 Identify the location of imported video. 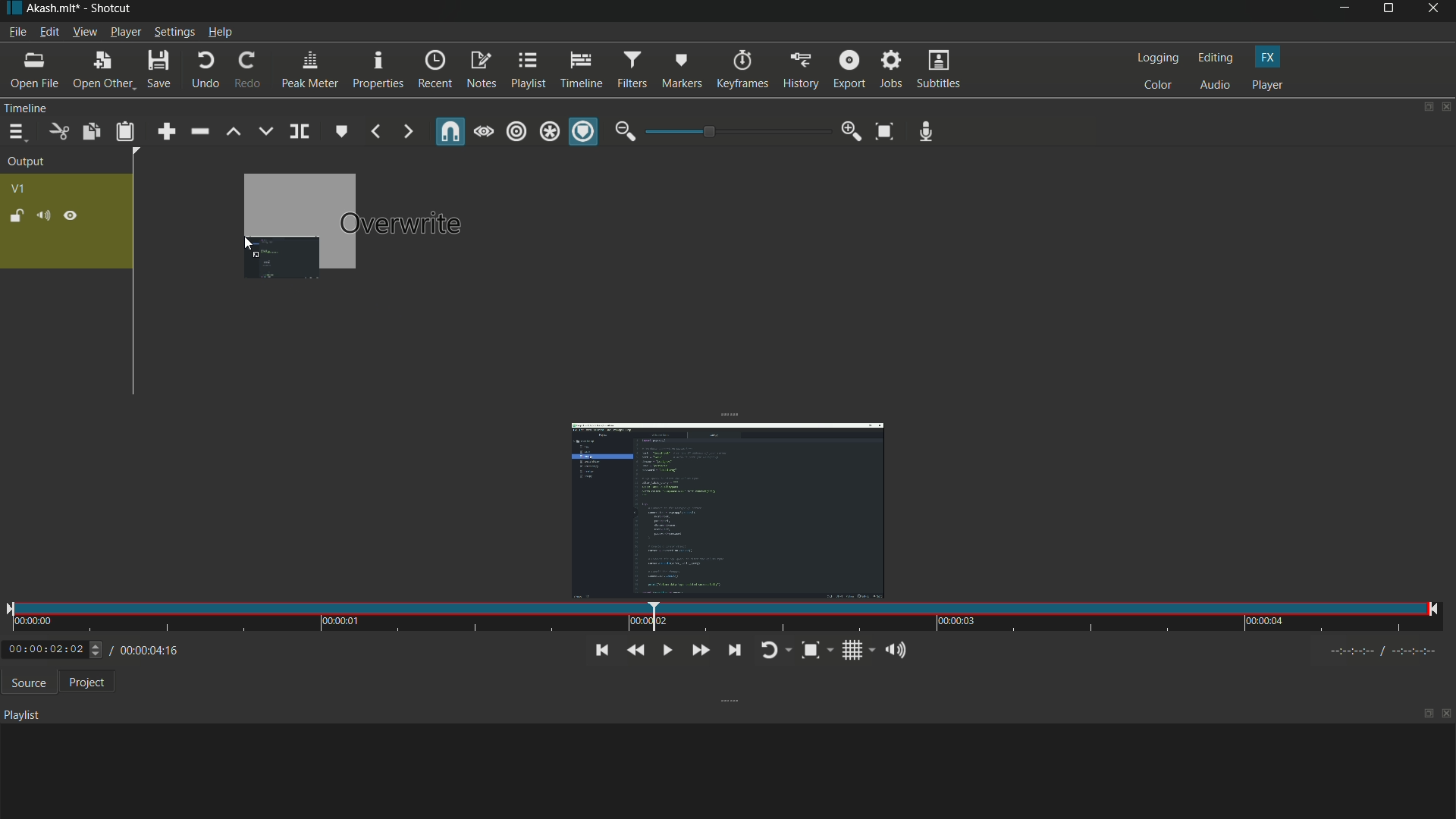
(719, 508).